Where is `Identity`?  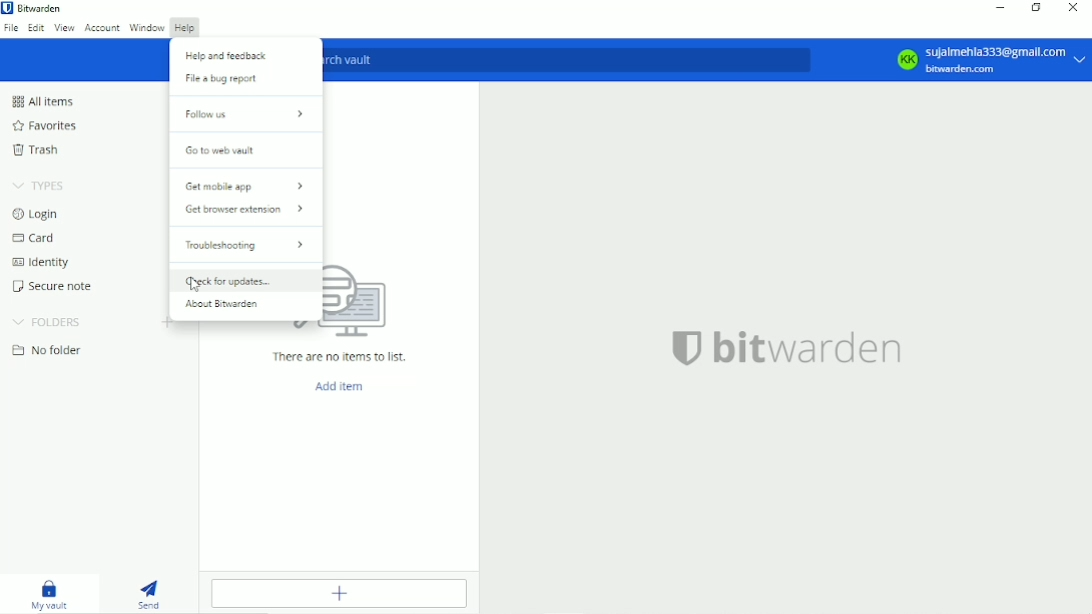
Identity is located at coordinates (43, 261).